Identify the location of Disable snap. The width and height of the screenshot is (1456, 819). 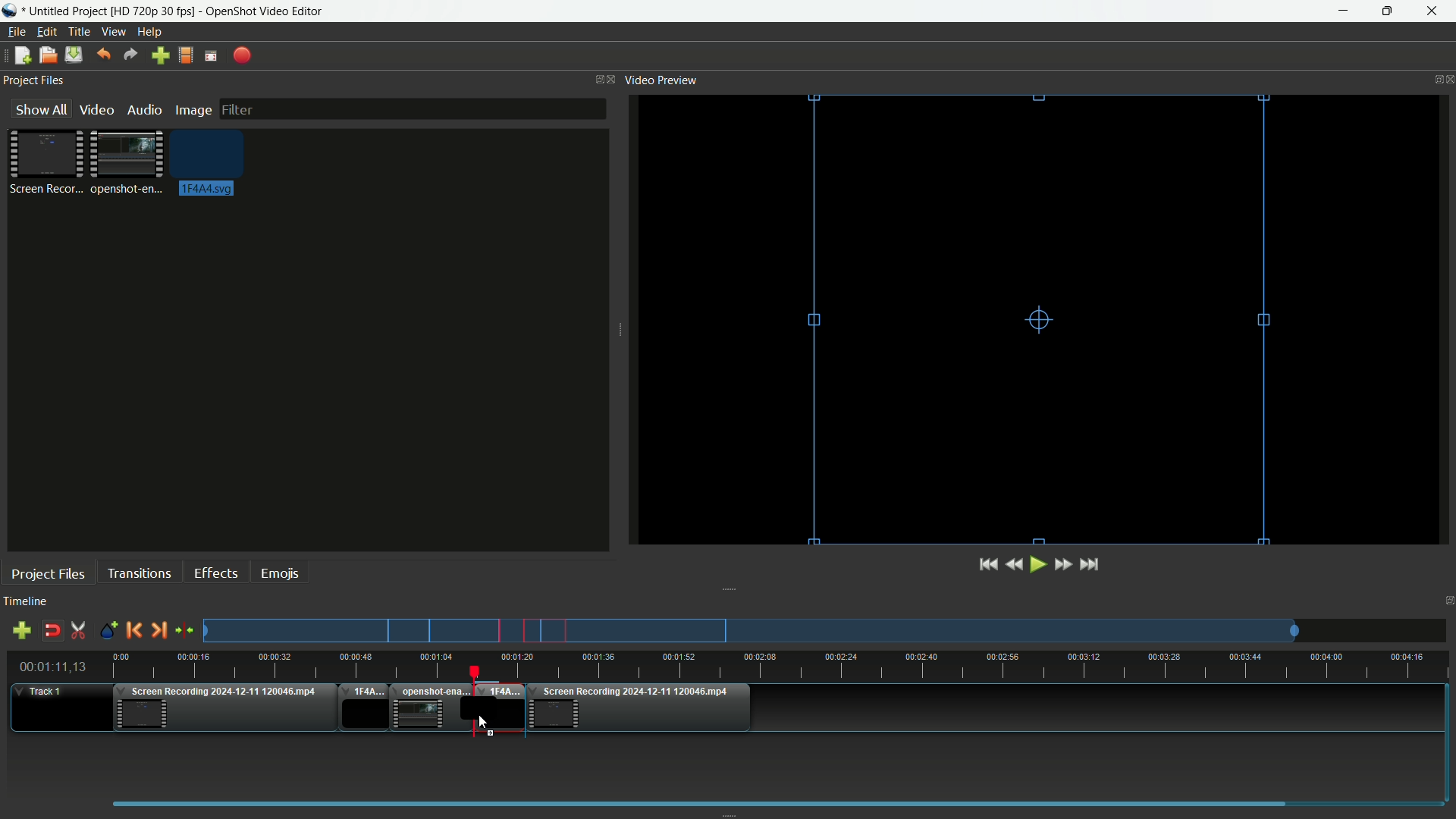
(54, 631).